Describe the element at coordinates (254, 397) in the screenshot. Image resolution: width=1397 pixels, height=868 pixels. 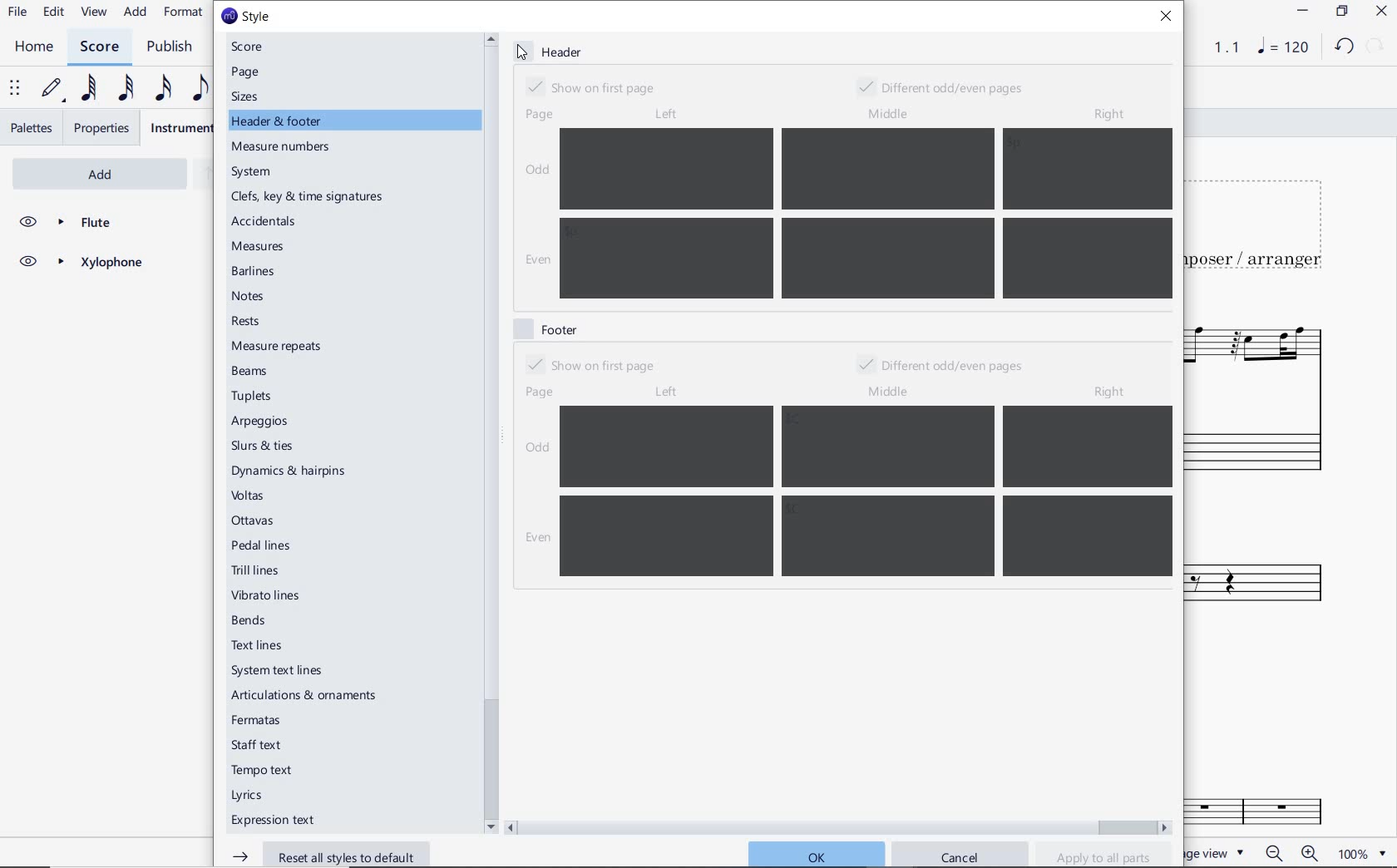
I see `tuplets` at that location.